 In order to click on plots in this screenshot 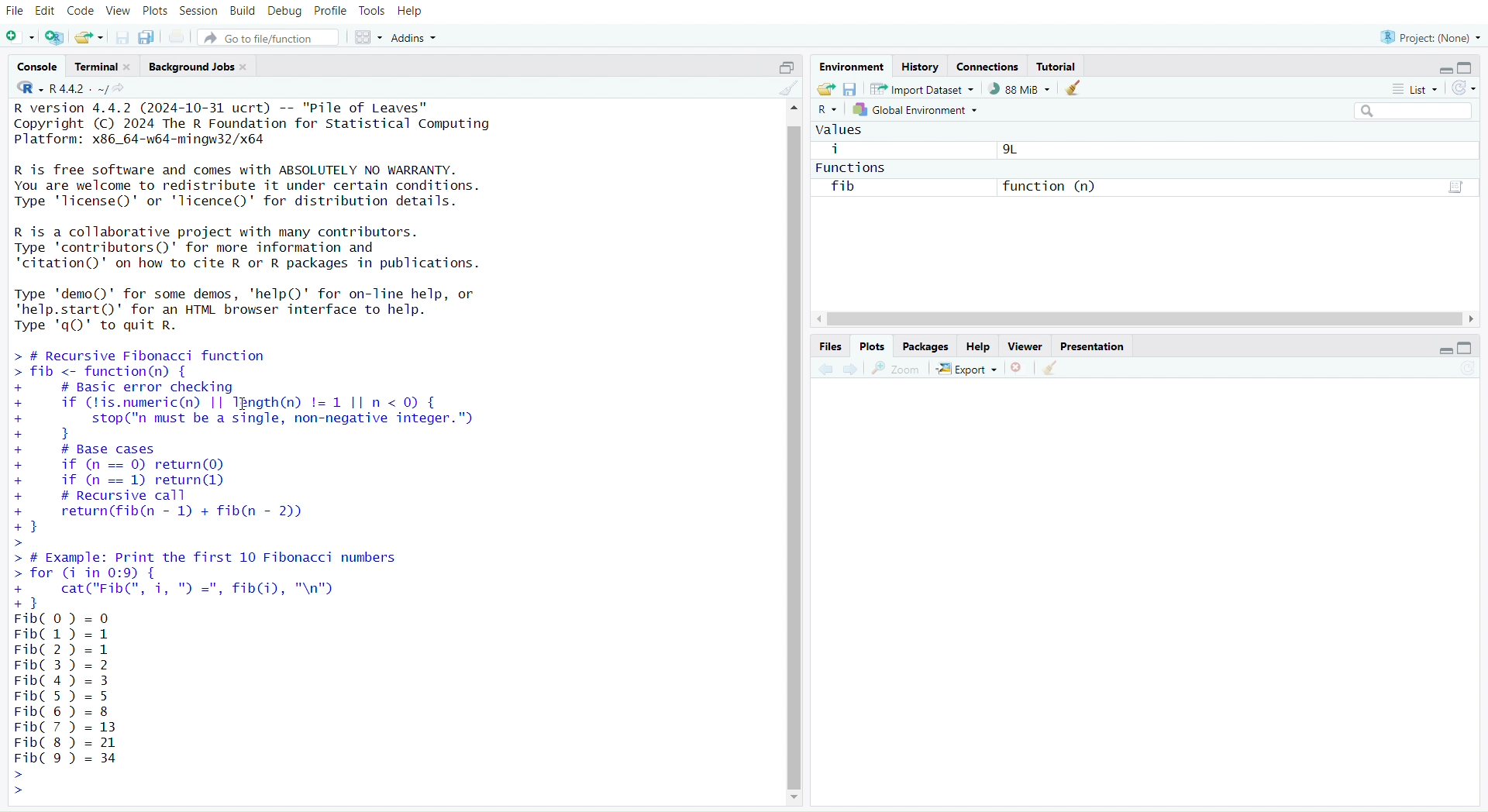, I will do `click(155, 13)`.